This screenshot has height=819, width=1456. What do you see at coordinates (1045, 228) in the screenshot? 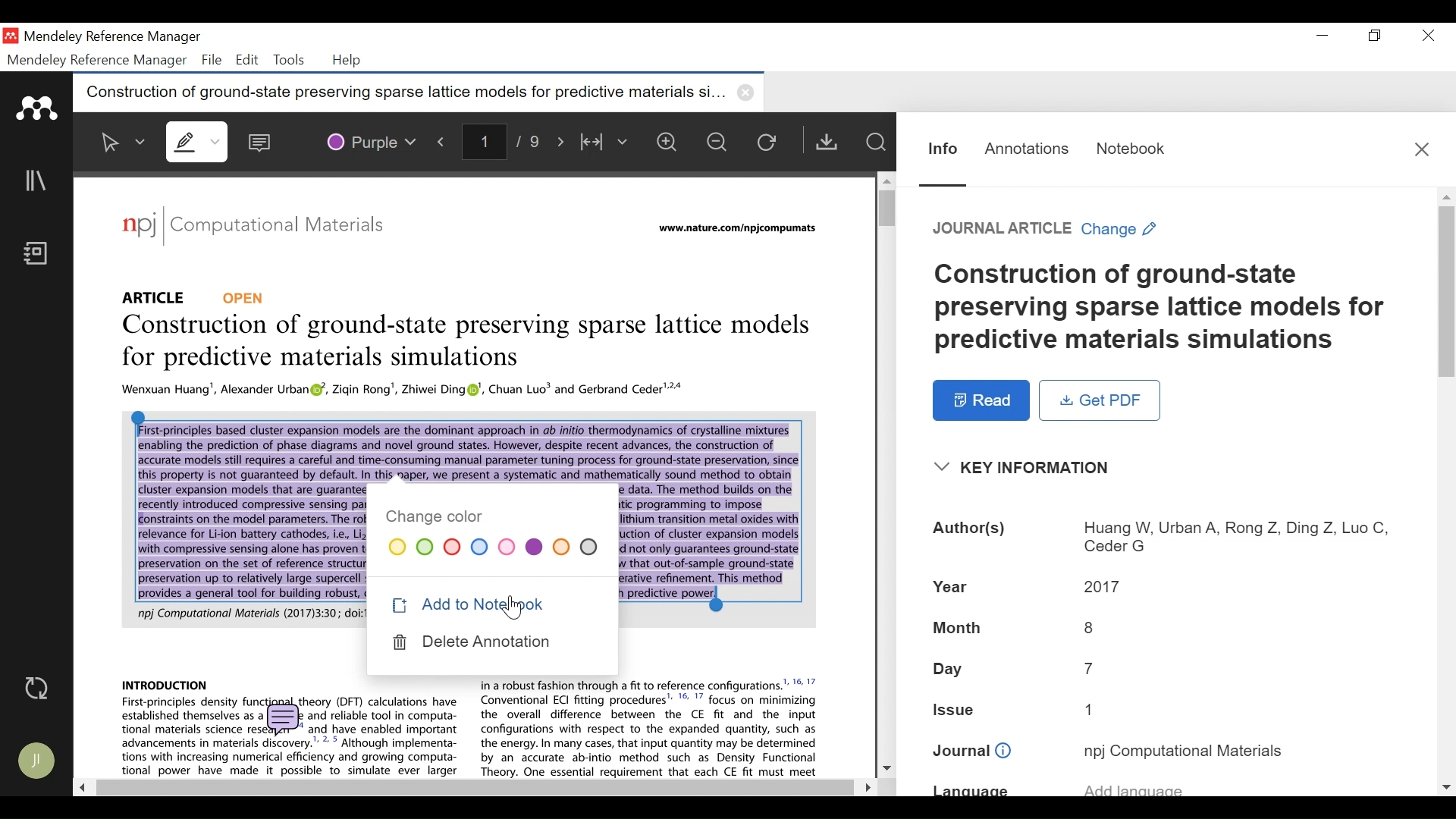
I see `Change Reference Type` at bounding box center [1045, 228].